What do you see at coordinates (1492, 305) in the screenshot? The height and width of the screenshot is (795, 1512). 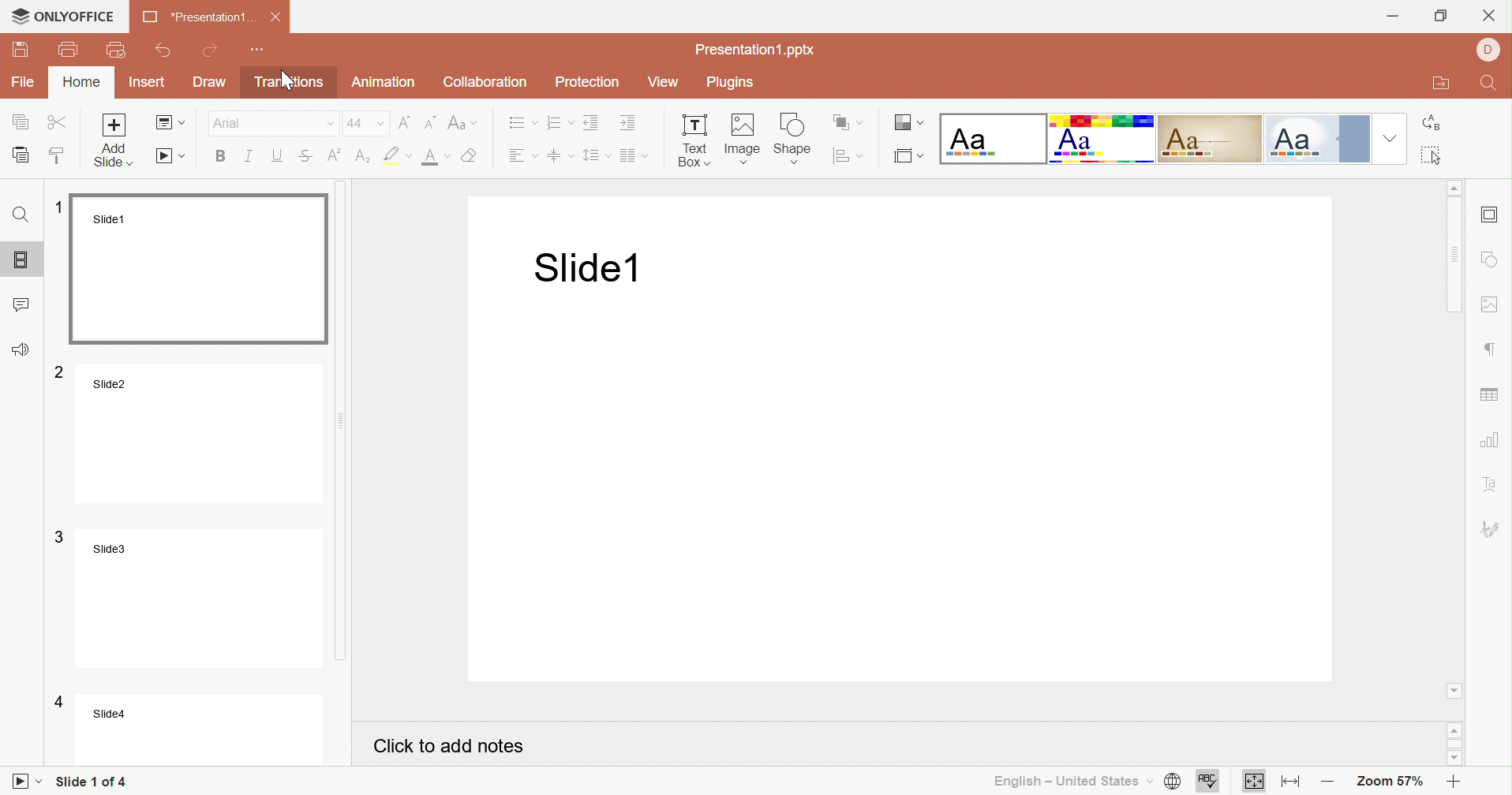 I see `Insert image` at bounding box center [1492, 305].